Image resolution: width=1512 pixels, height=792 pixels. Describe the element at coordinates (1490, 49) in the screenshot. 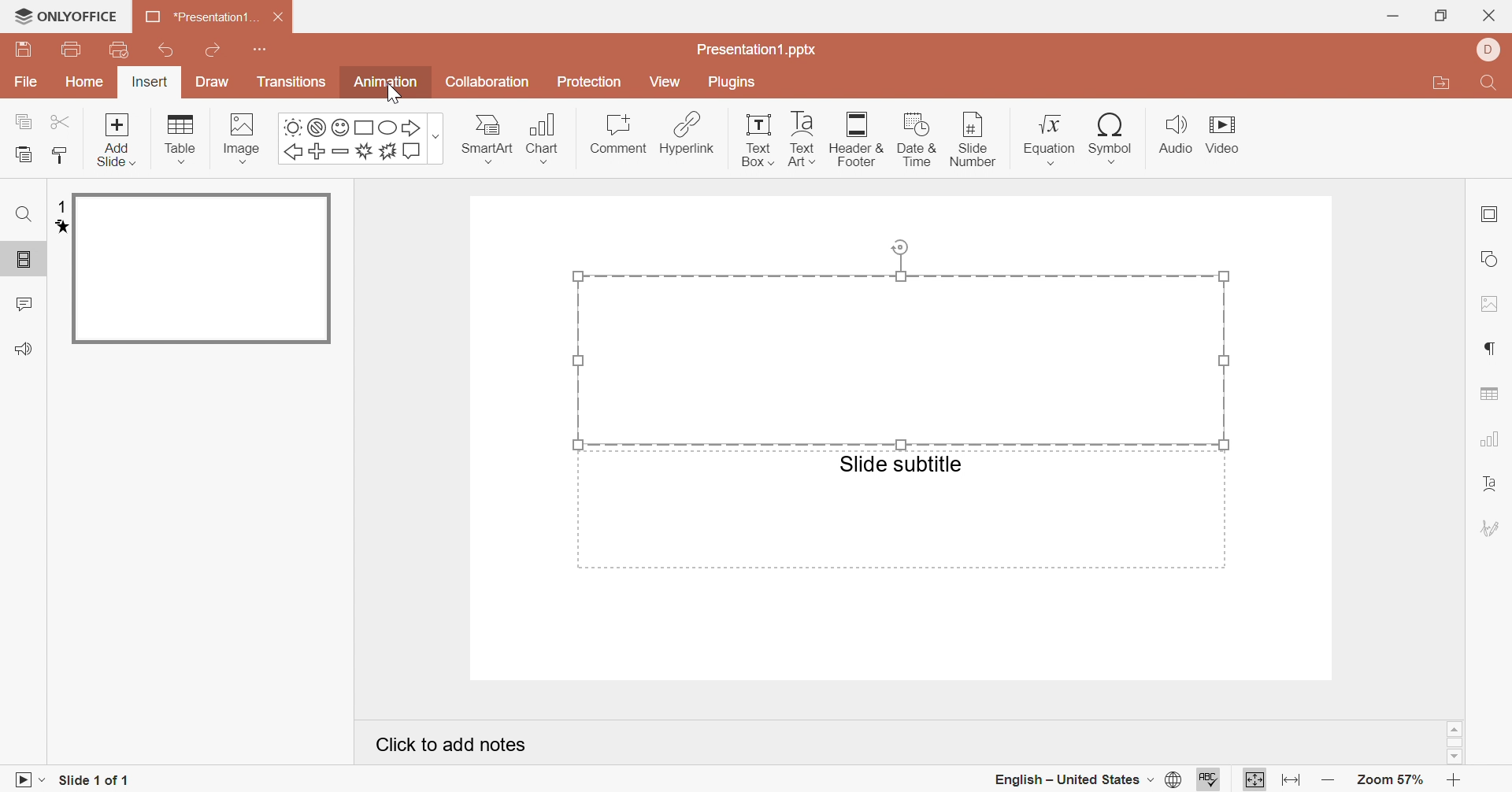

I see `dell` at that location.